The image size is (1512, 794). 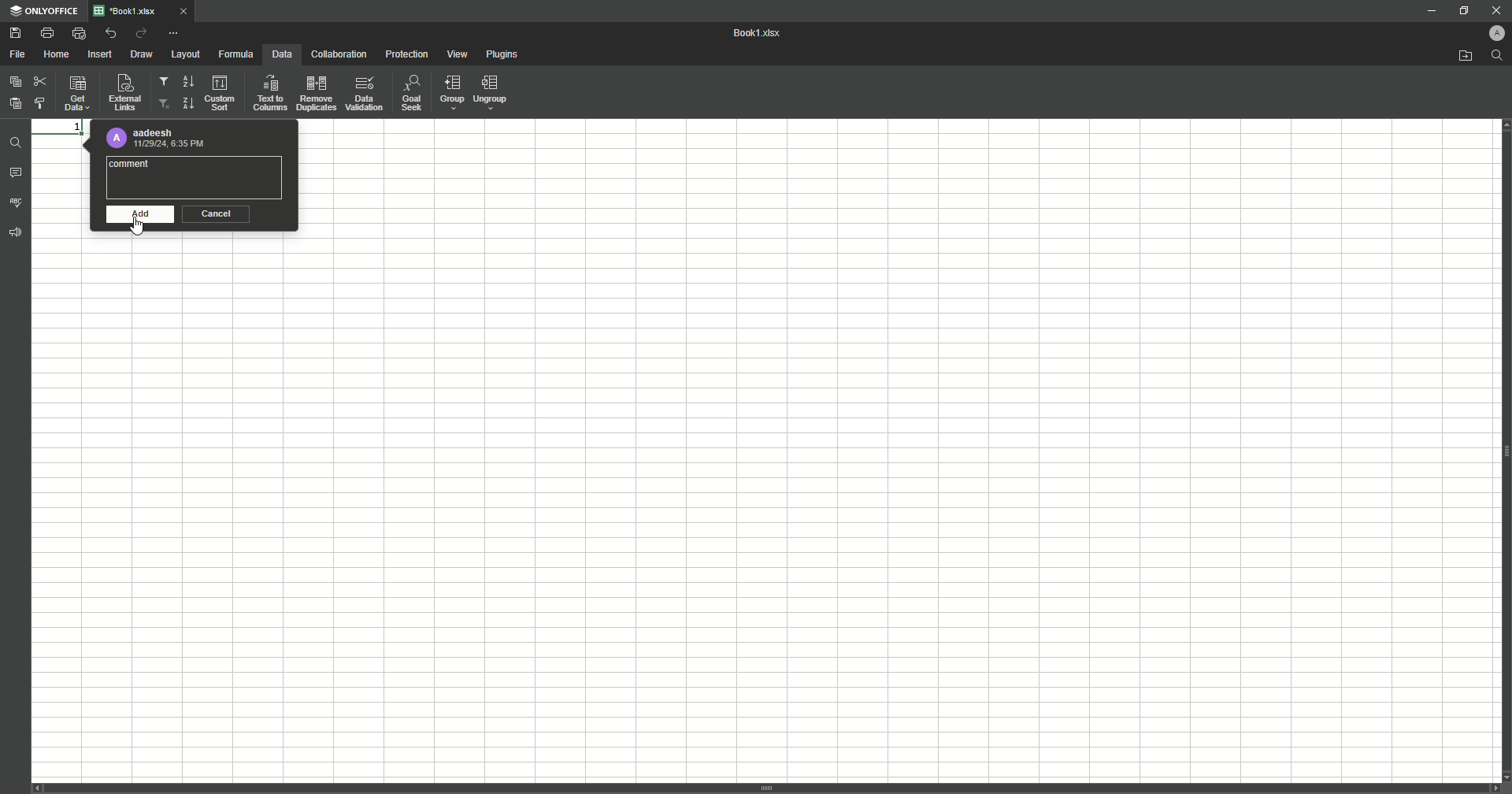 What do you see at coordinates (459, 55) in the screenshot?
I see `View` at bounding box center [459, 55].